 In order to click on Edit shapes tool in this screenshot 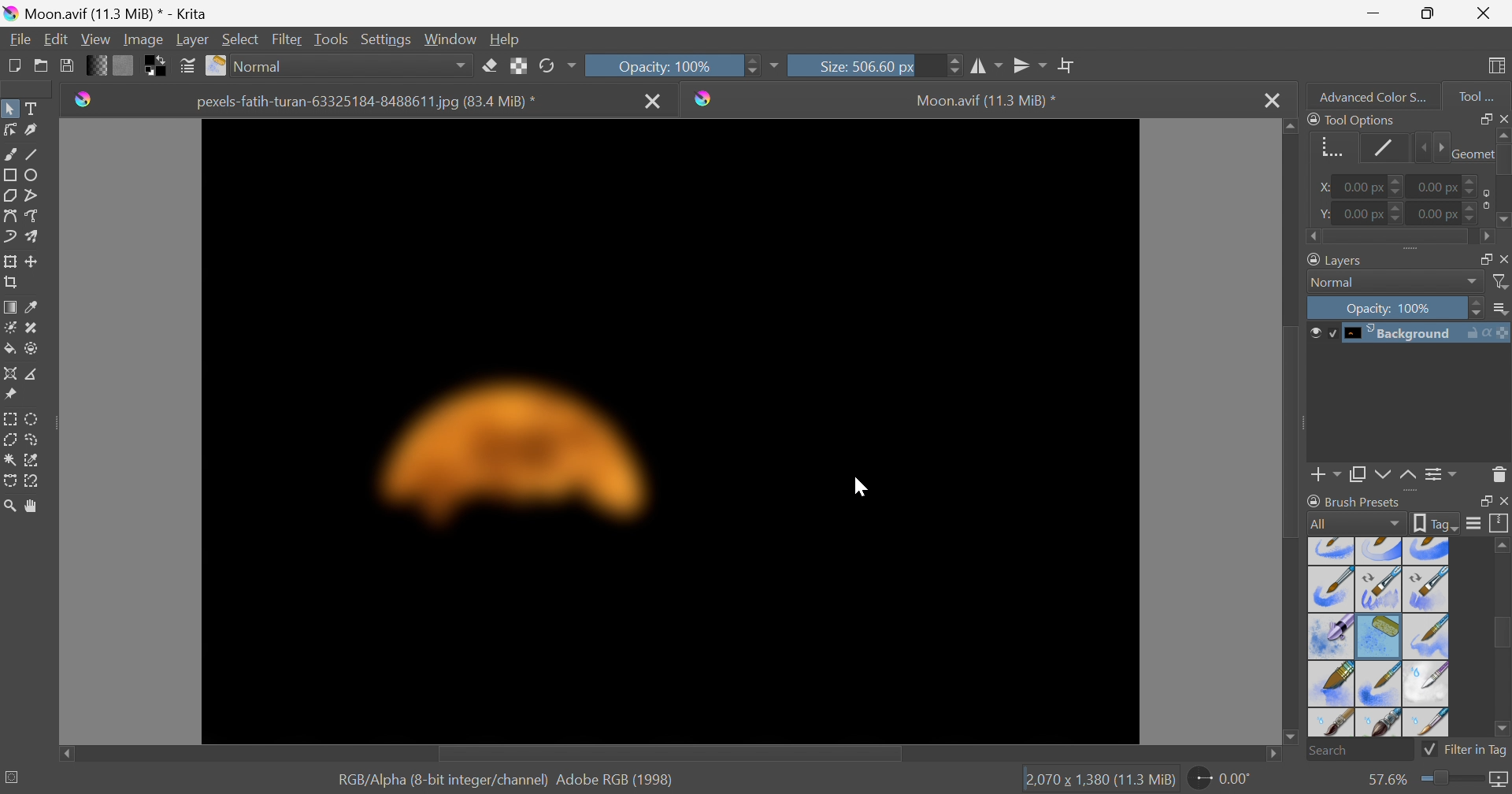, I will do `click(9, 129)`.